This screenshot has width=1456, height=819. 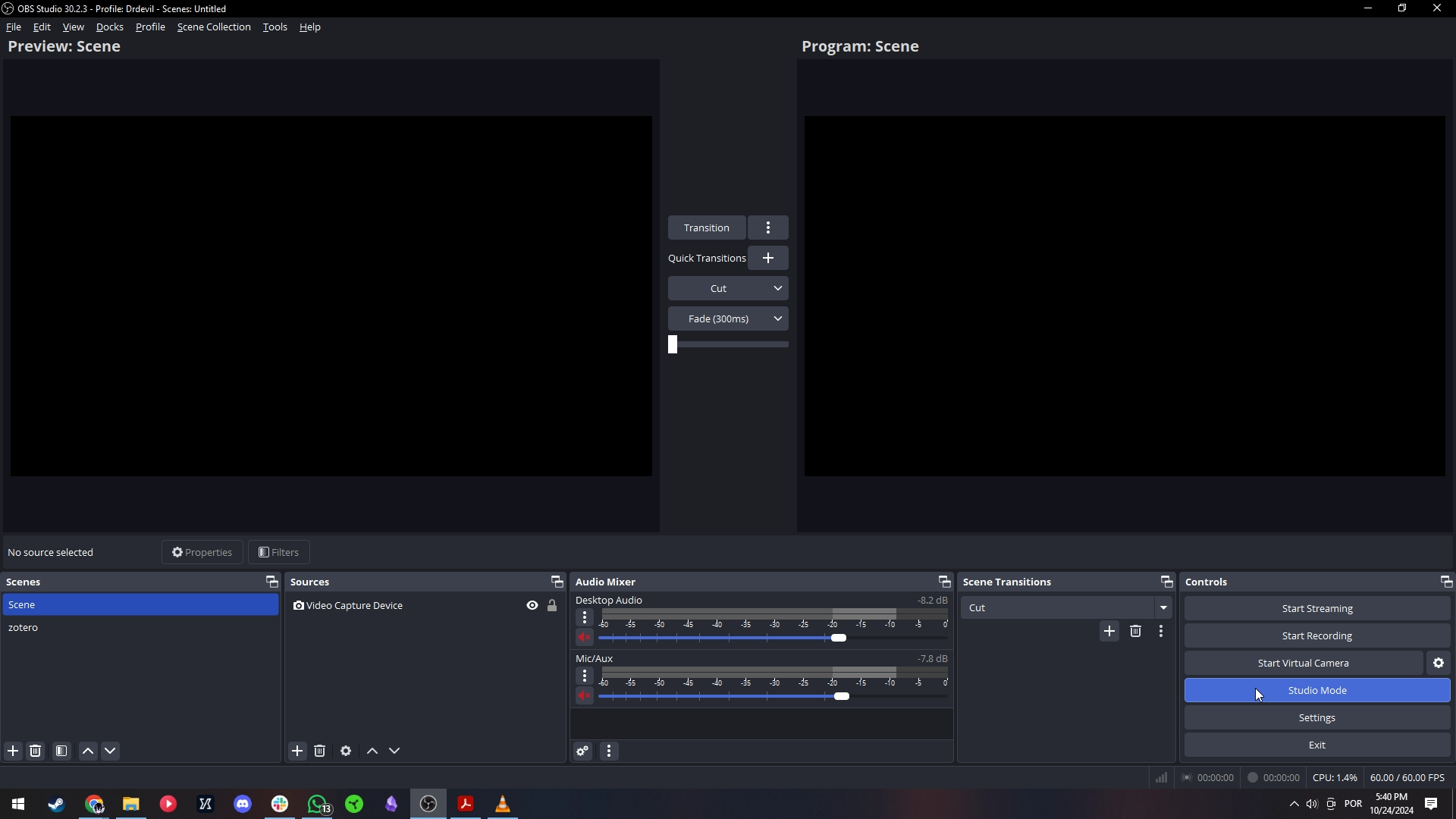 I want to click on Move scene up, so click(x=89, y=752).